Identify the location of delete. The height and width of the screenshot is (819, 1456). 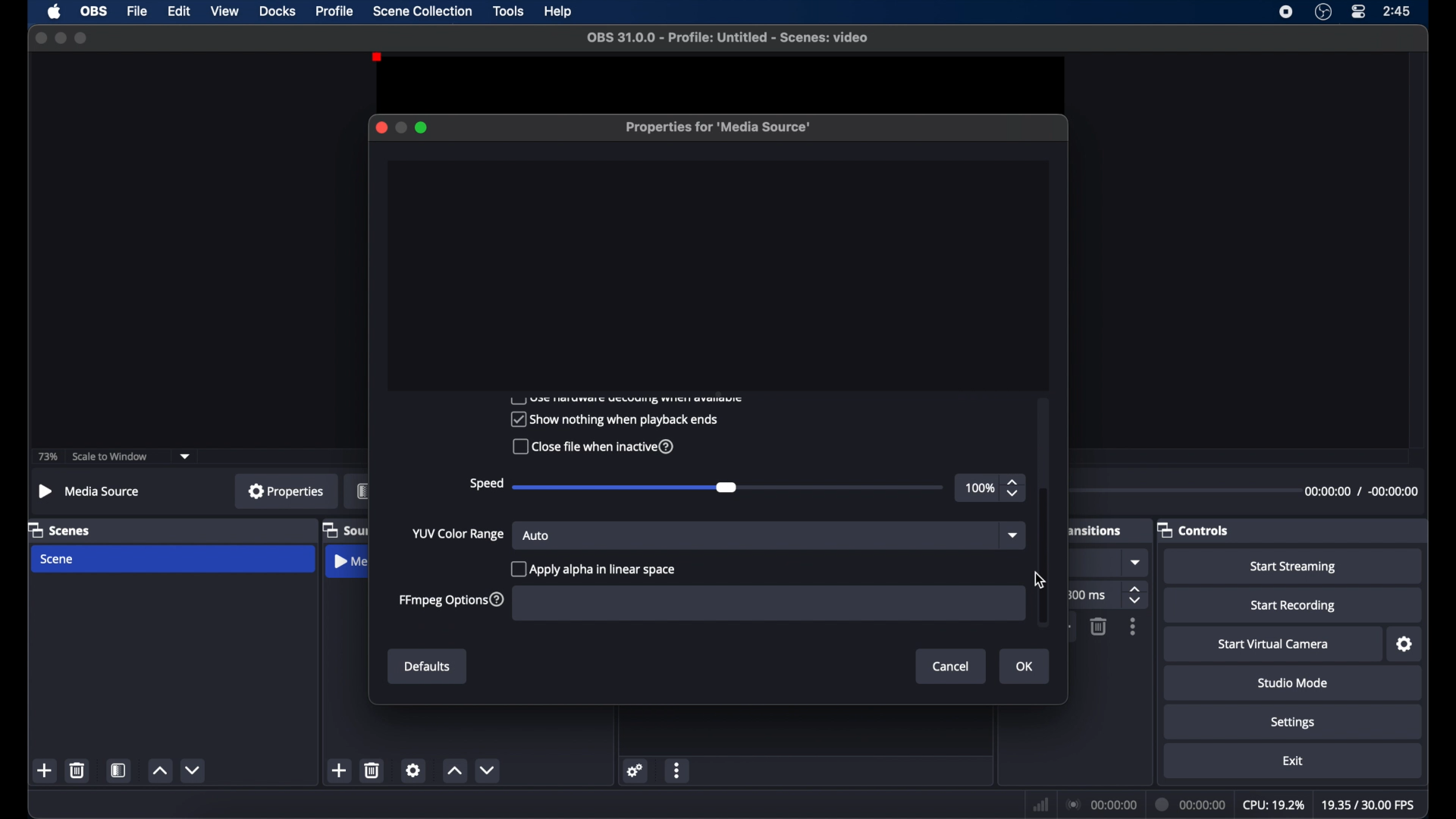
(373, 770).